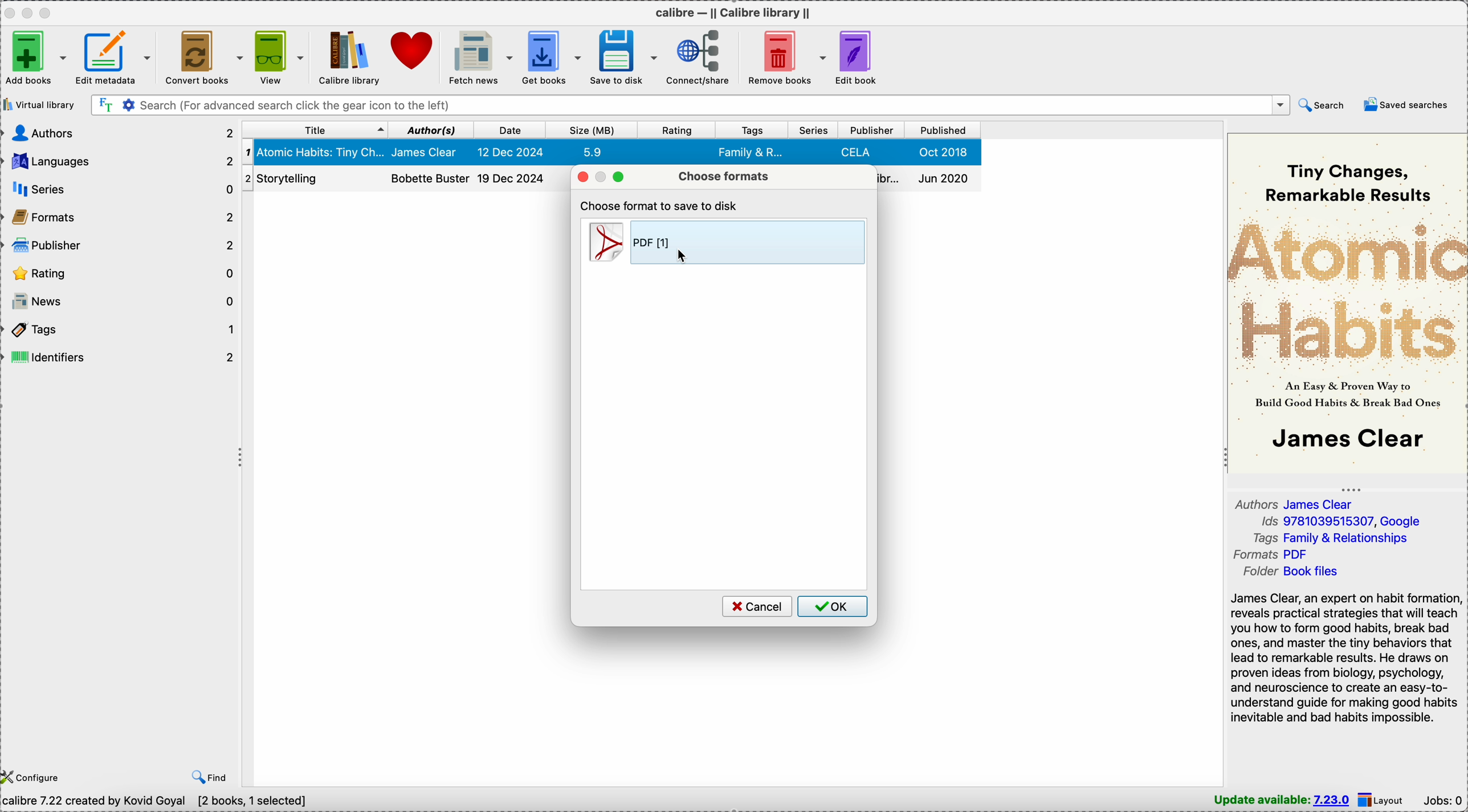  I want to click on donate, so click(413, 51).